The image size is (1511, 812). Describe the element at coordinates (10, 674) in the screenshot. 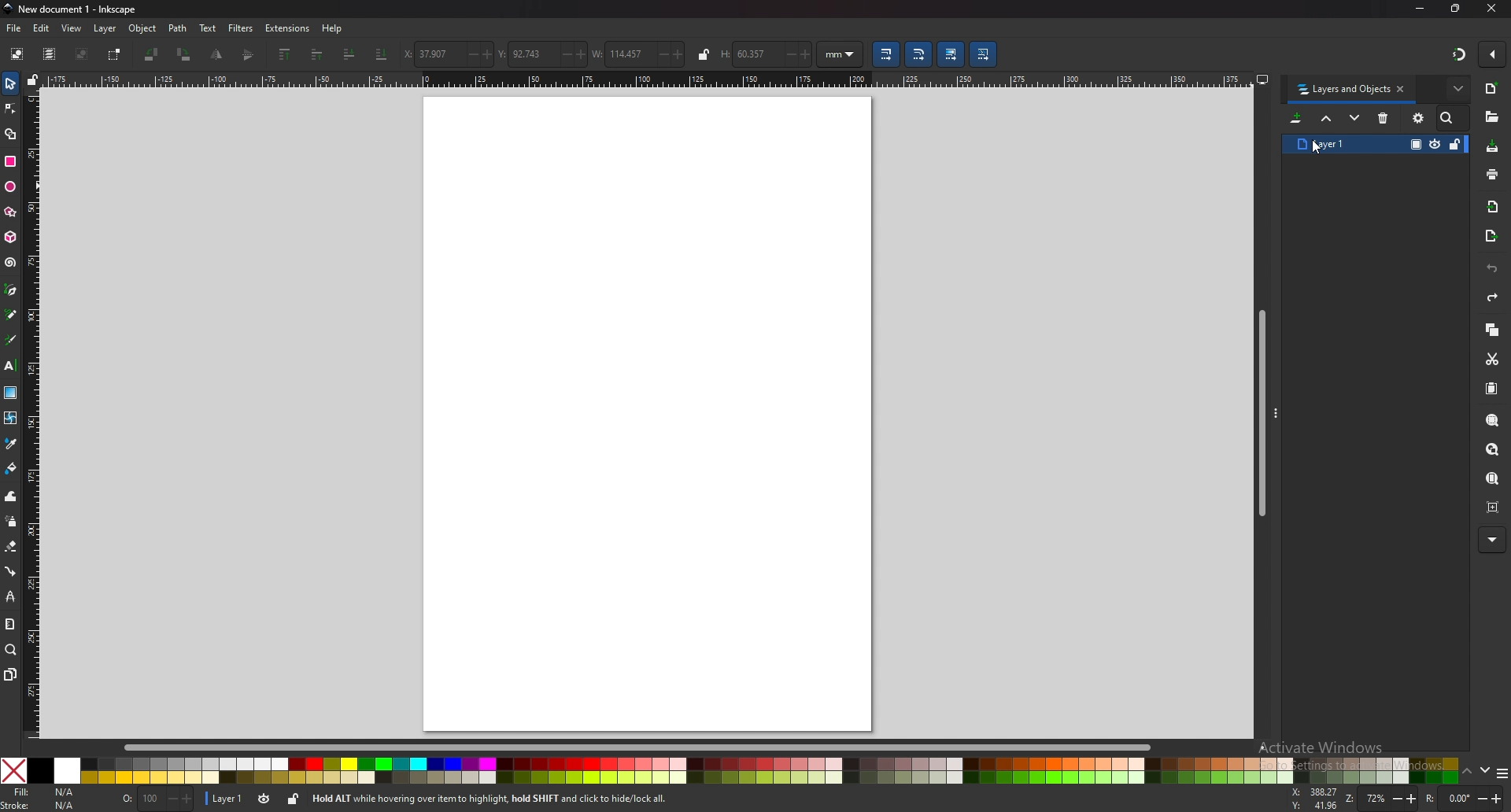

I see `pages` at that location.